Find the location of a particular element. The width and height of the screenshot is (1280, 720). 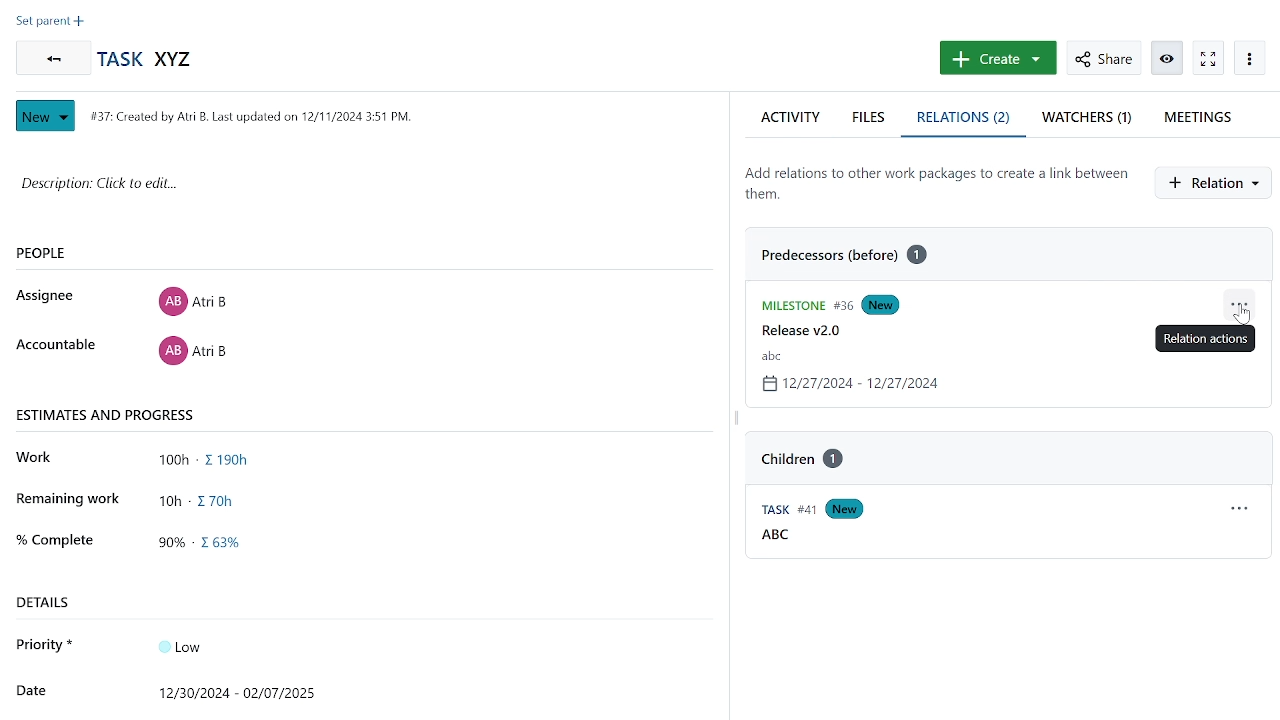

watch work package is located at coordinates (1207, 58).